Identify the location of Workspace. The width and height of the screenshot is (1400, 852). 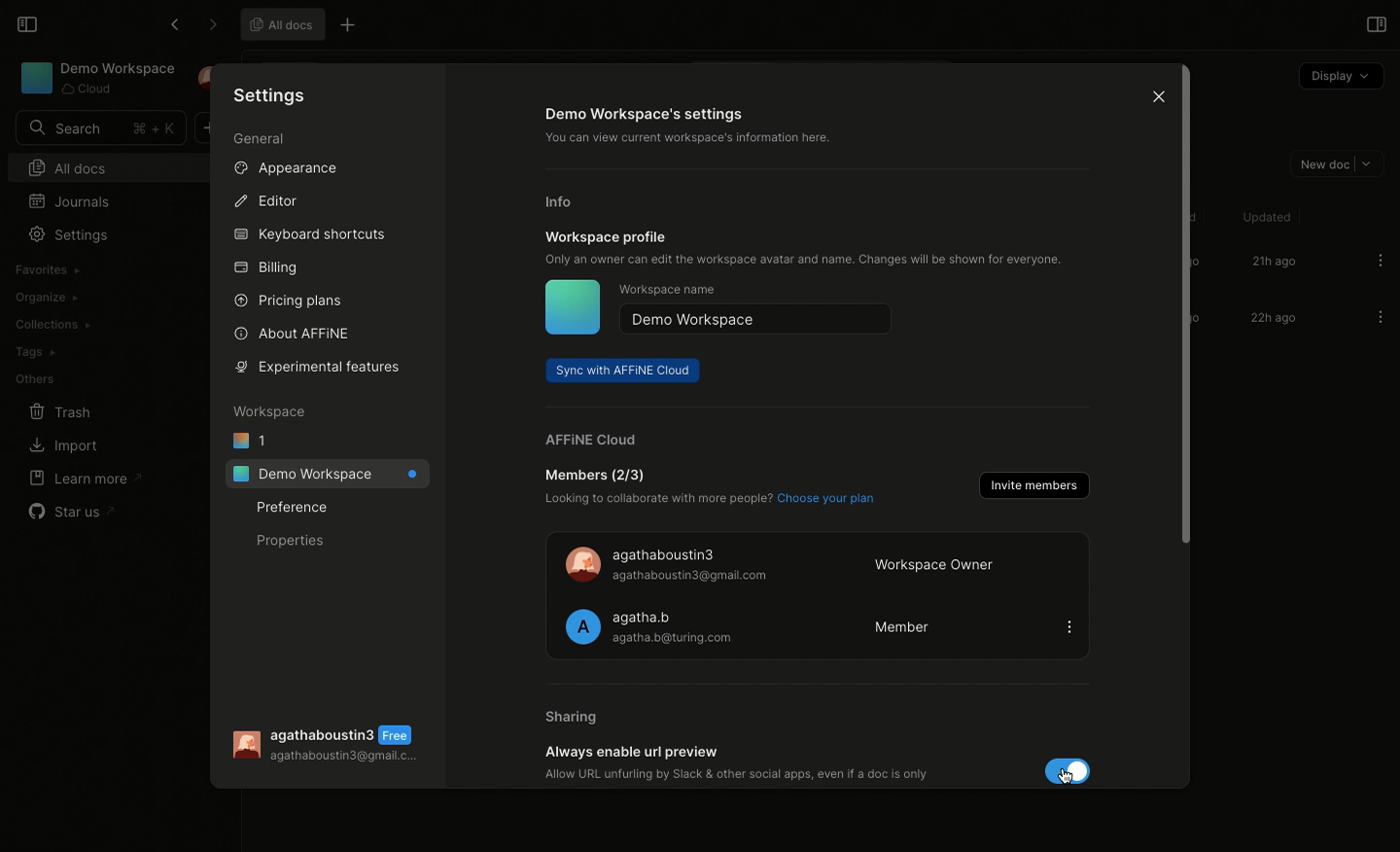
(271, 410).